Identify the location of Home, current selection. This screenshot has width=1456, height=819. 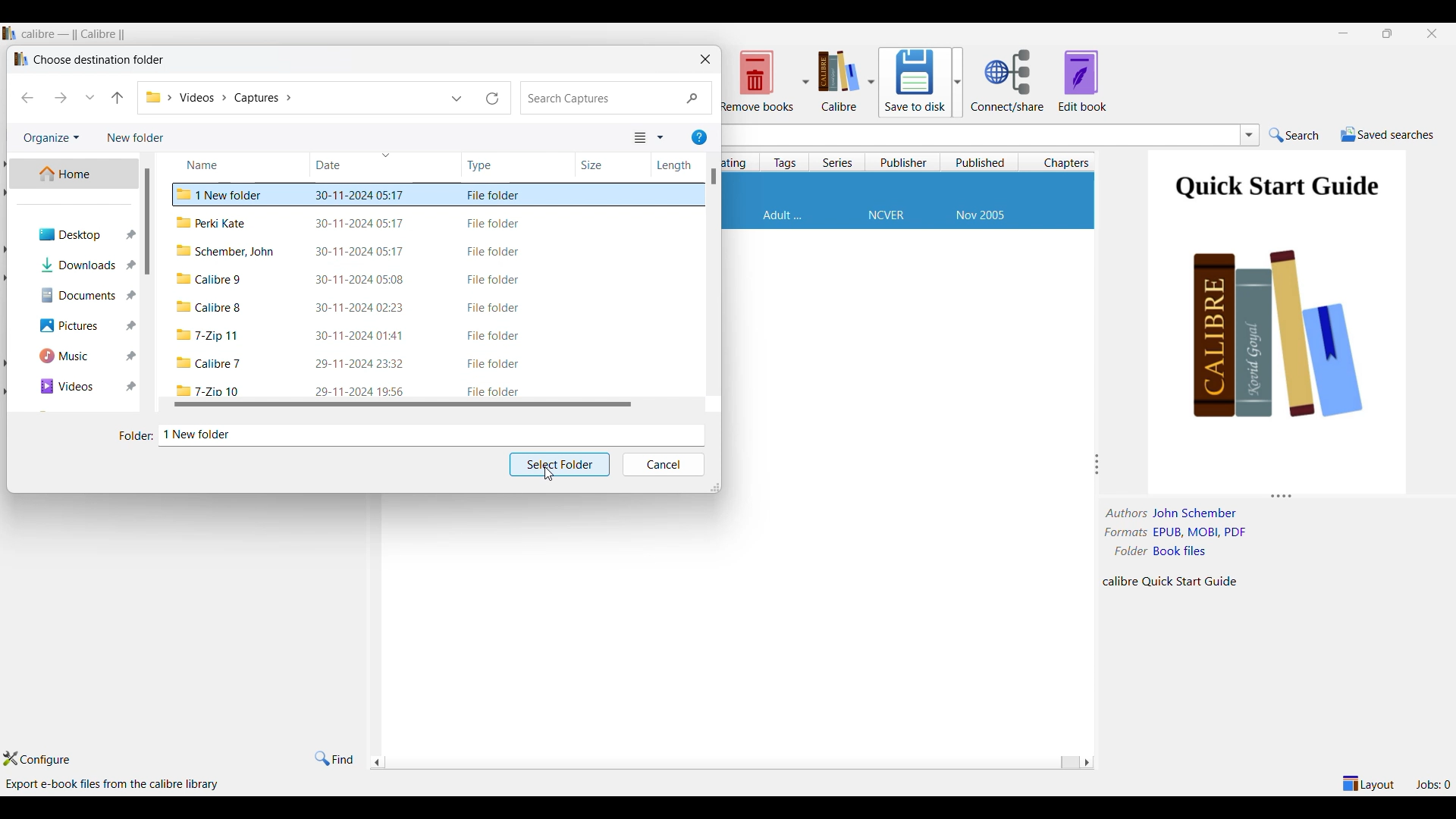
(74, 174).